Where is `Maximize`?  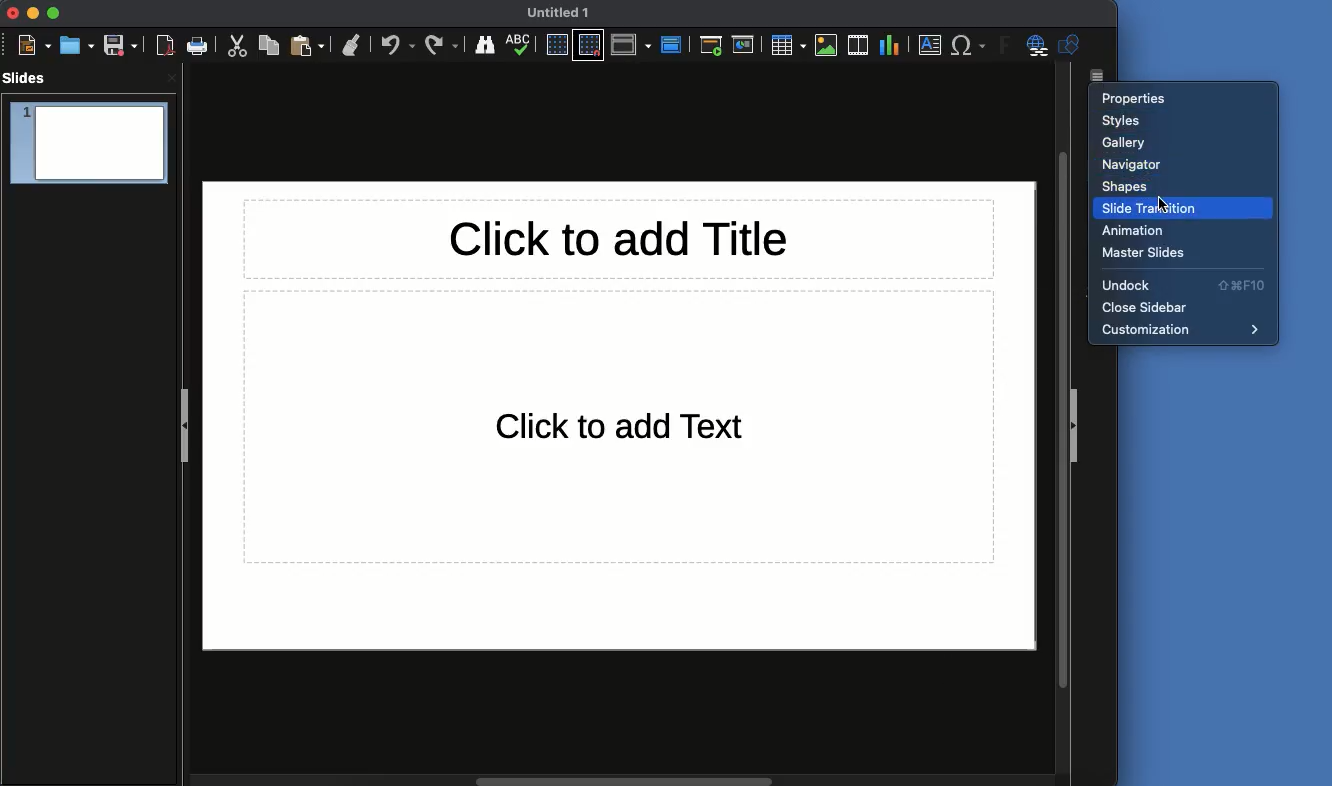
Maximize is located at coordinates (55, 14).